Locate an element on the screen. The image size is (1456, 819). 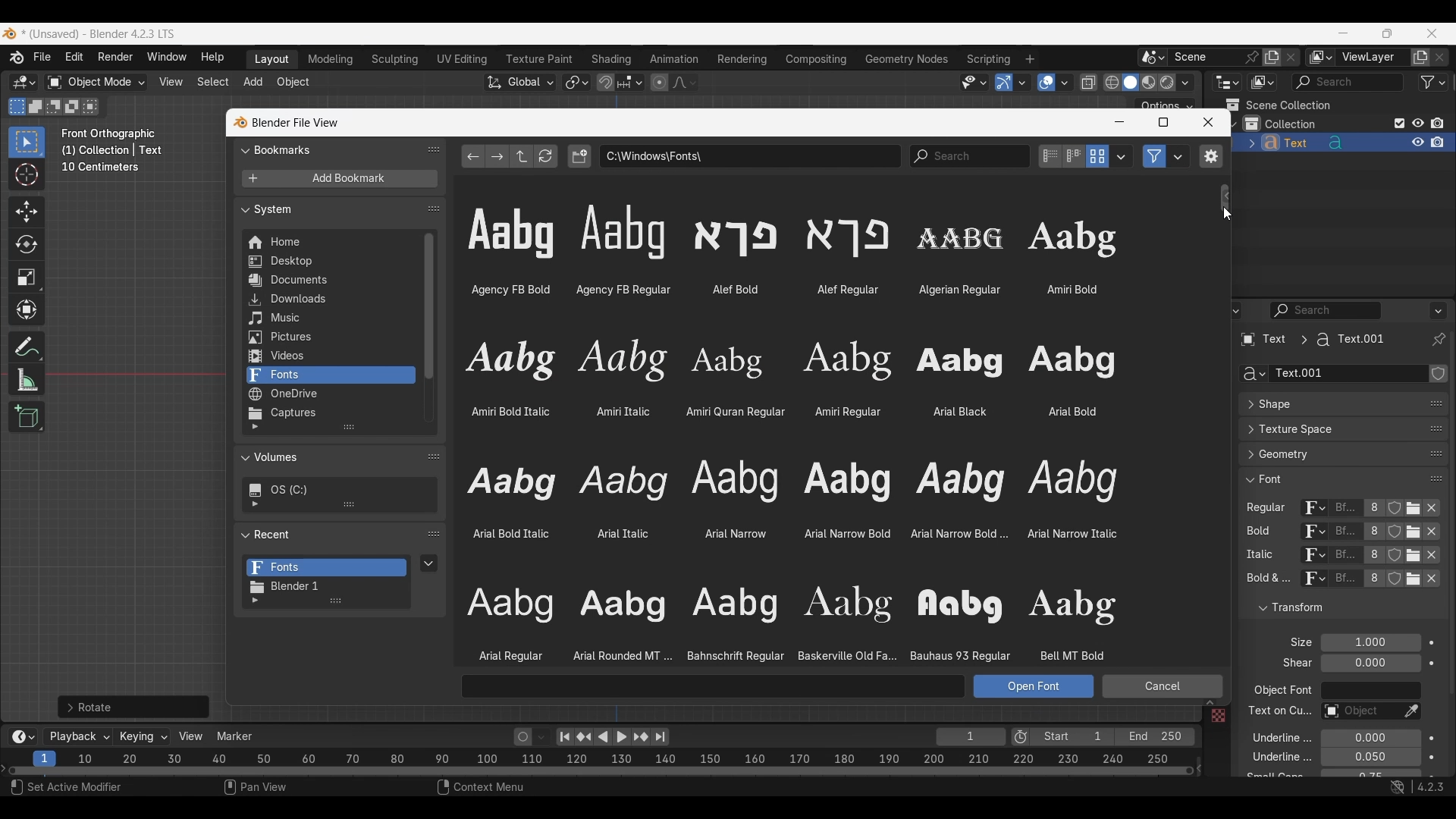
nlink respective attribute is located at coordinates (1406, 533).